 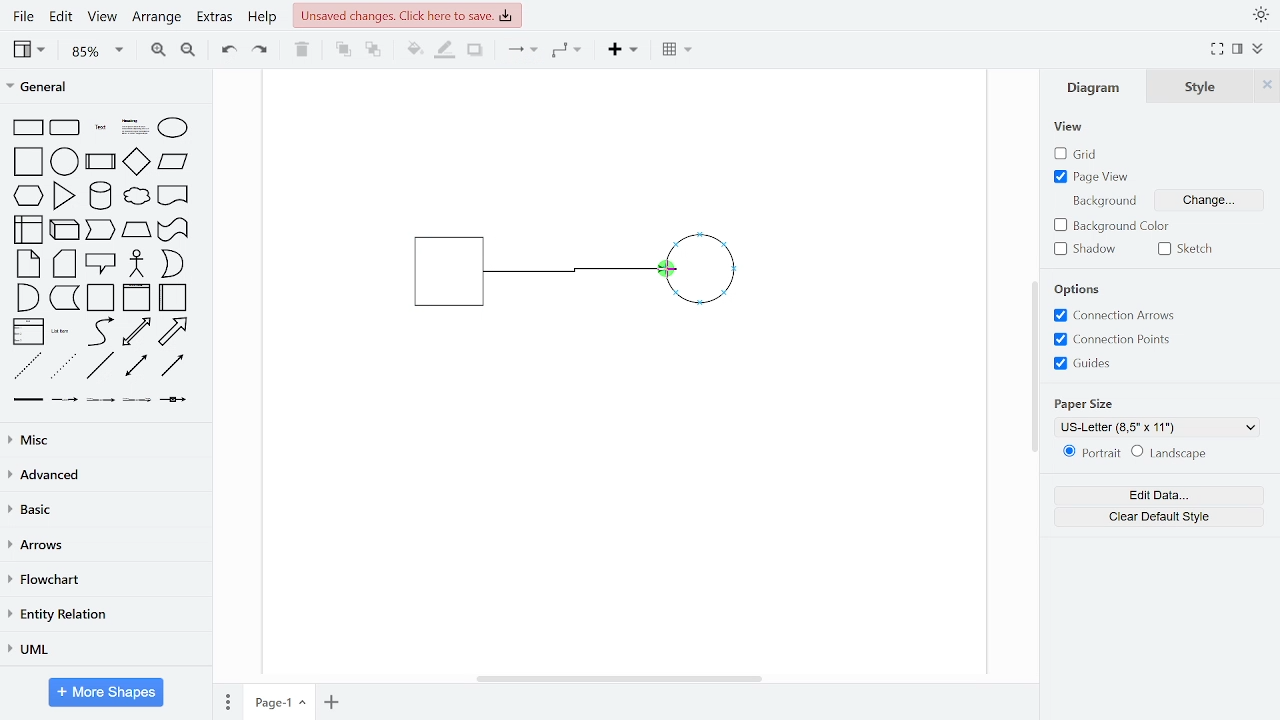 What do you see at coordinates (104, 509) in the screenshot?
I see `basic` at bounding box center [104, 509].